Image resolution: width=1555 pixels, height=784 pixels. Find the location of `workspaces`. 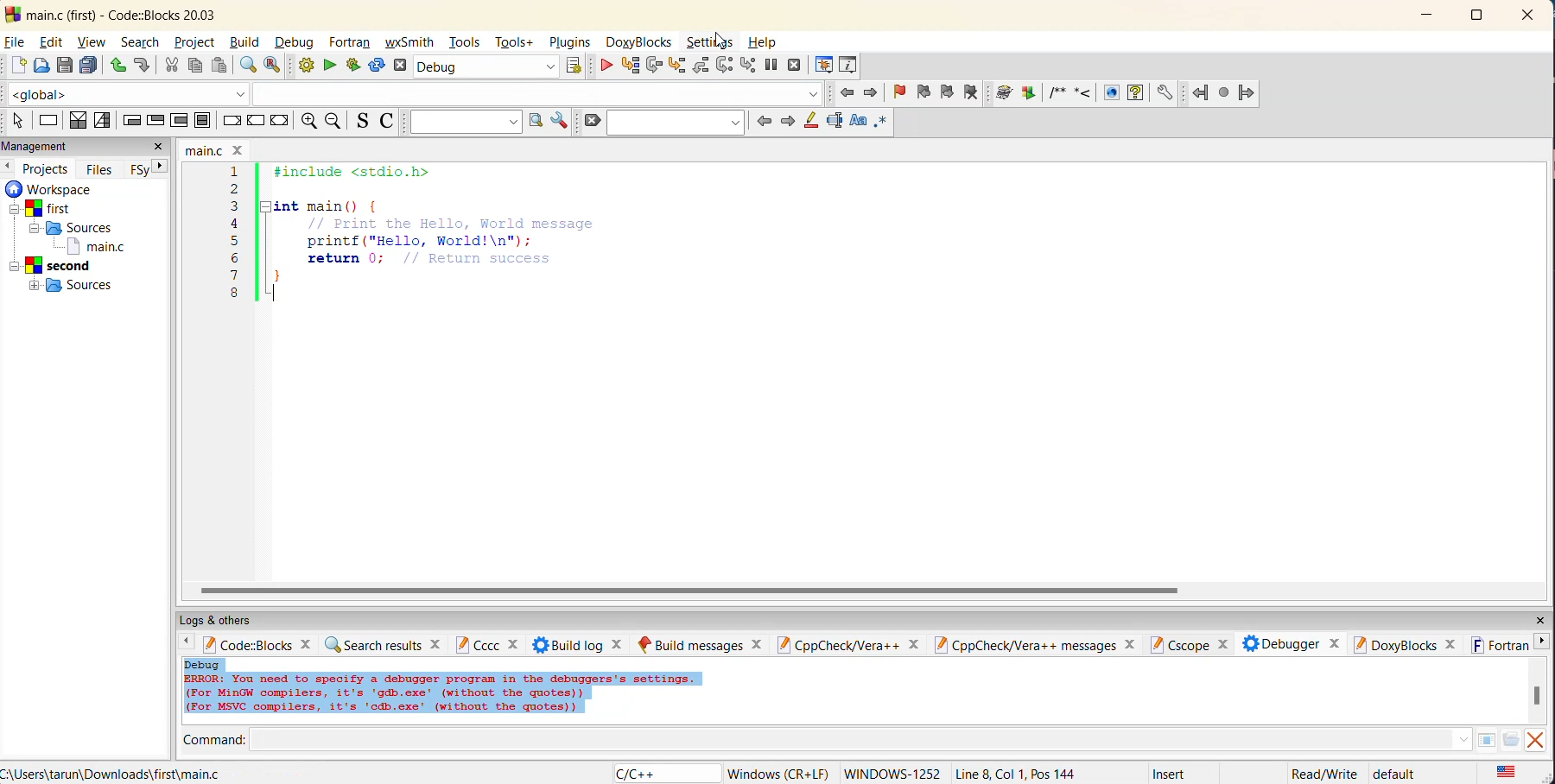

workspaces is located at coordinates (75, 242).